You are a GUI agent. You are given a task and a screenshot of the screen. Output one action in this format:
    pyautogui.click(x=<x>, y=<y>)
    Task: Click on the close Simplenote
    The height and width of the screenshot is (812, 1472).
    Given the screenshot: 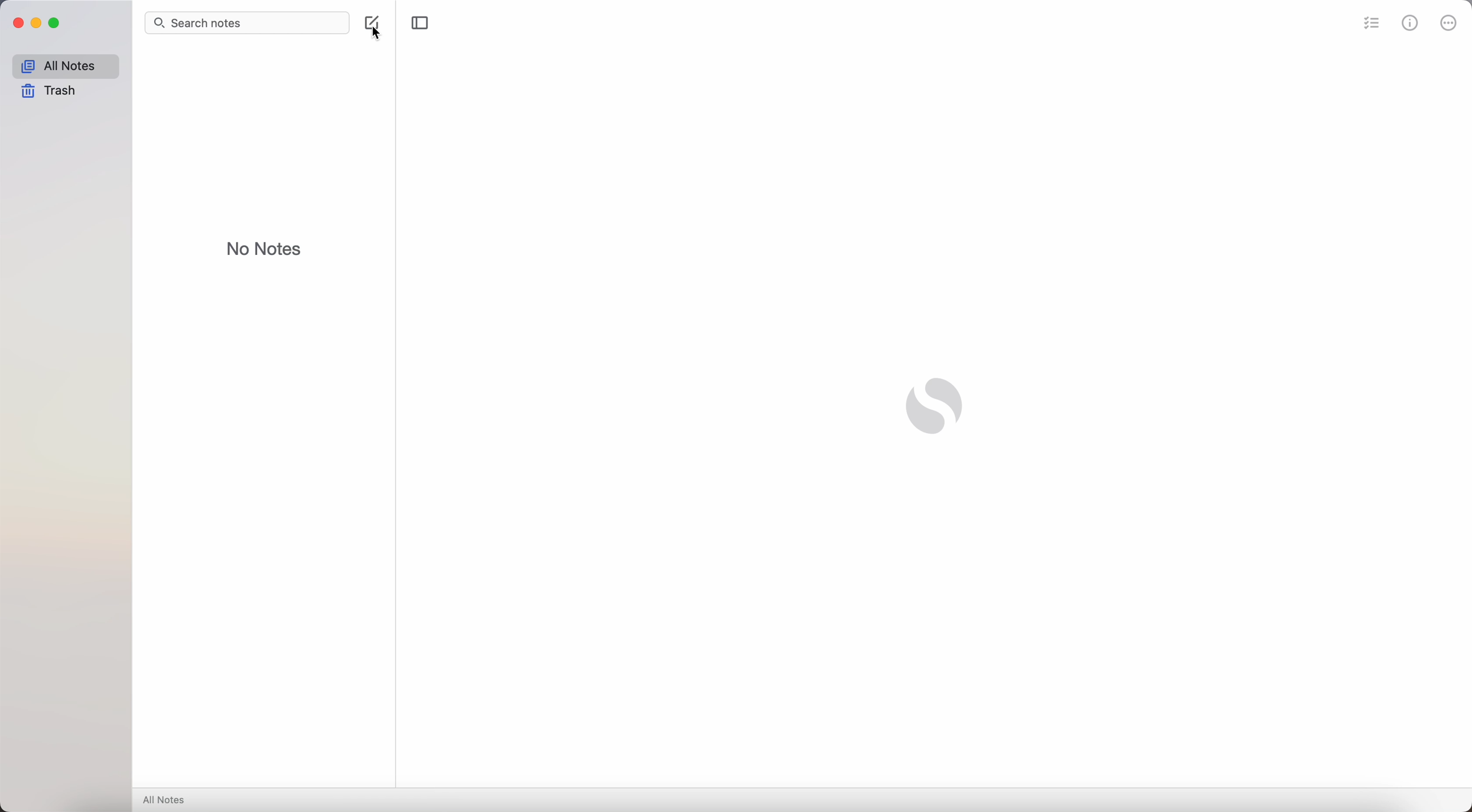 What is the action you would take?
    pyautogui.click(x=18, y=23)
    